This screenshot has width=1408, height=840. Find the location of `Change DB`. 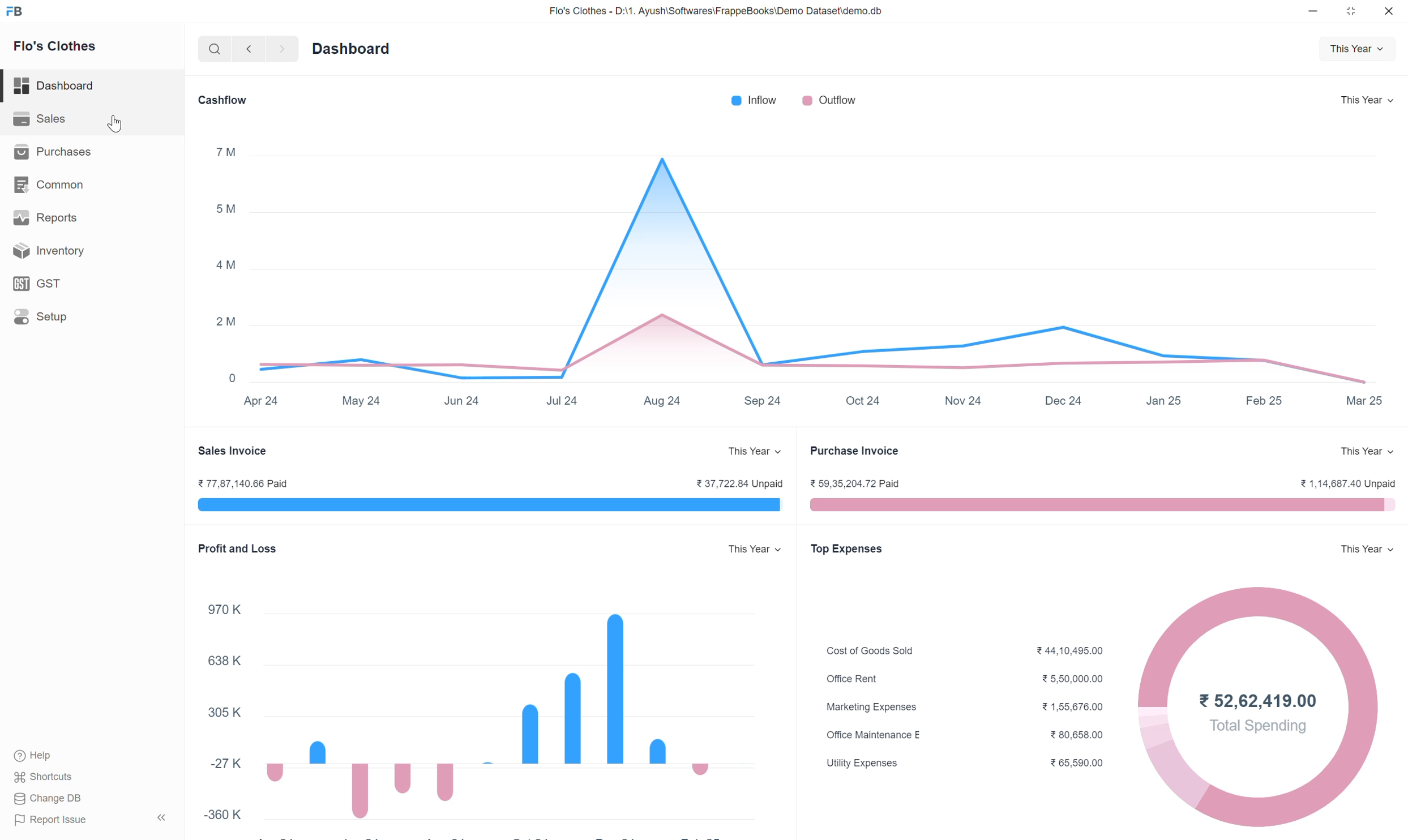

Change DB is located at coordinates (49, 798).